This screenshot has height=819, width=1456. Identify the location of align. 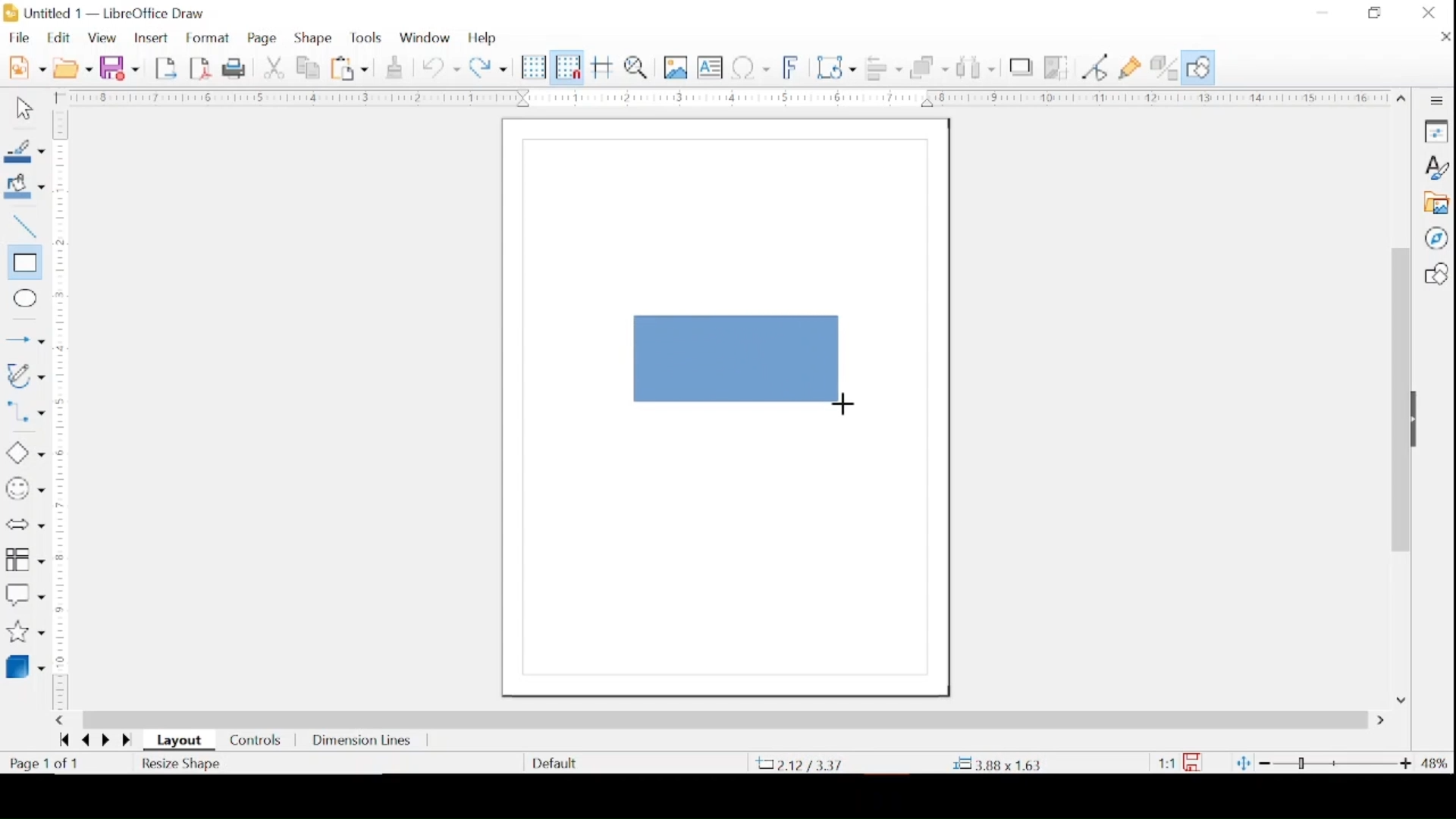
(883, 67).